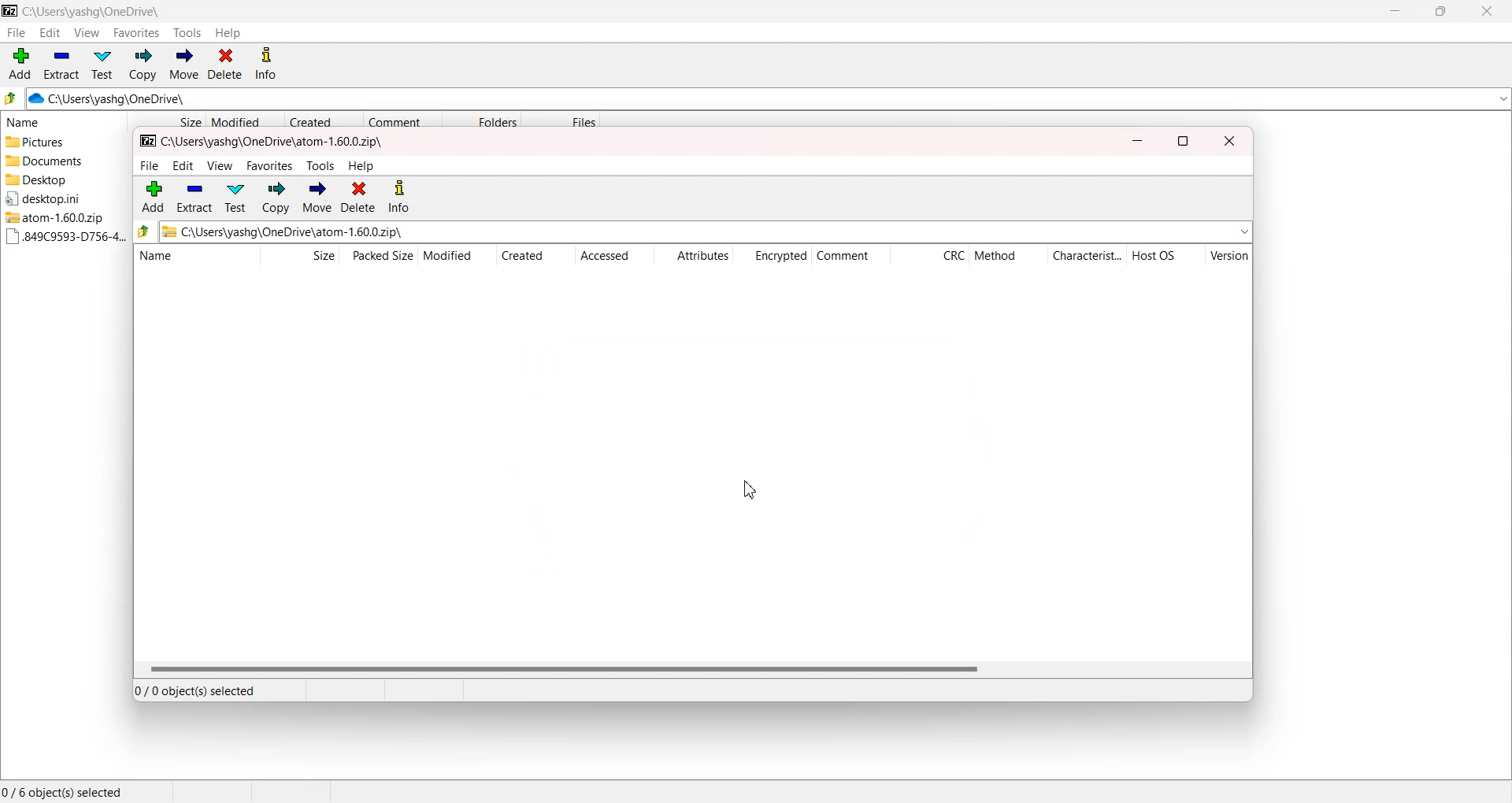 The height and width of the screenshot is (803, 1512). Describe the element at coordinates (142, 65) in the screenshot. I see `Copy` at that location.